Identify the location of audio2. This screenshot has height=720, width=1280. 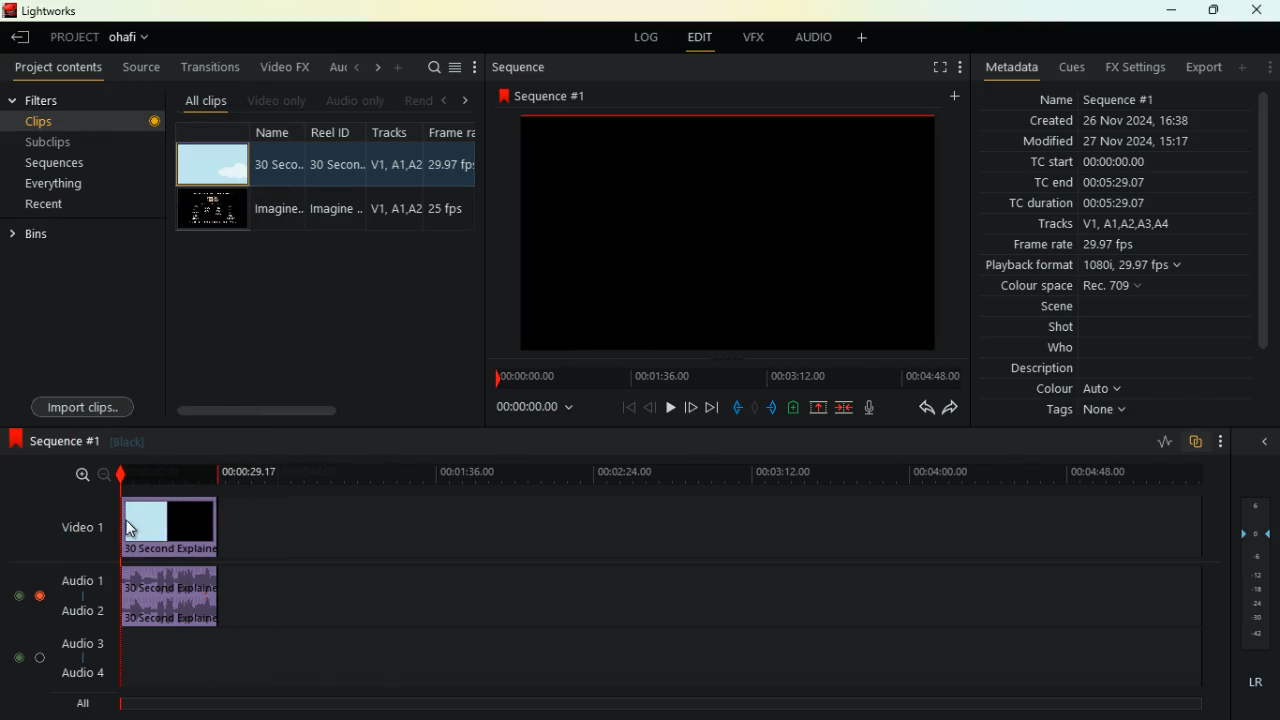
(78, 610).